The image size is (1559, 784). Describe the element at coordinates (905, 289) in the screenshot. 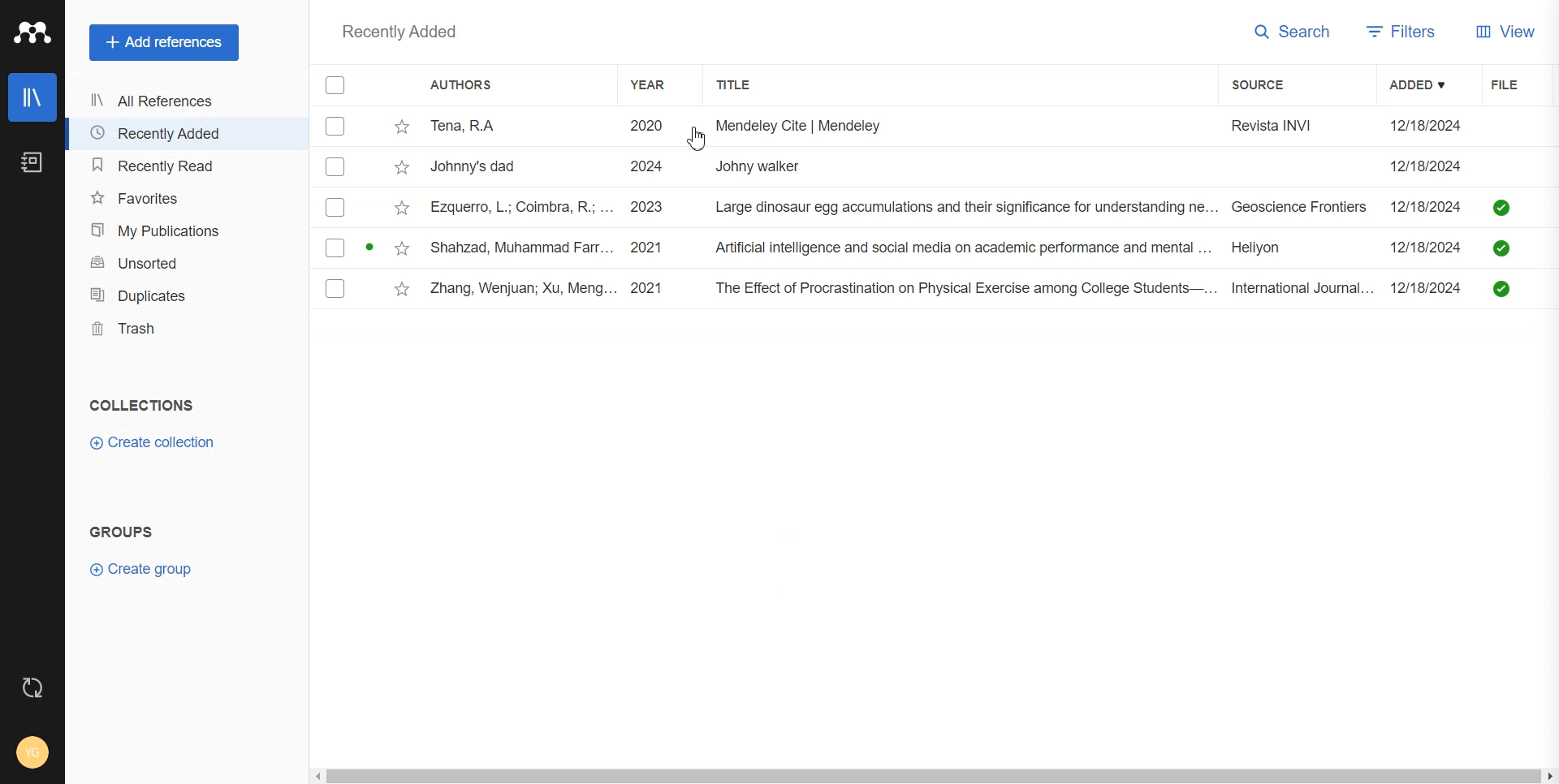

I see `Zhang, Wenjuan; Xu, Meng... 2021 The Effect of Procrastination on Physical Exercise among College Students—... International Journal...` at that location.